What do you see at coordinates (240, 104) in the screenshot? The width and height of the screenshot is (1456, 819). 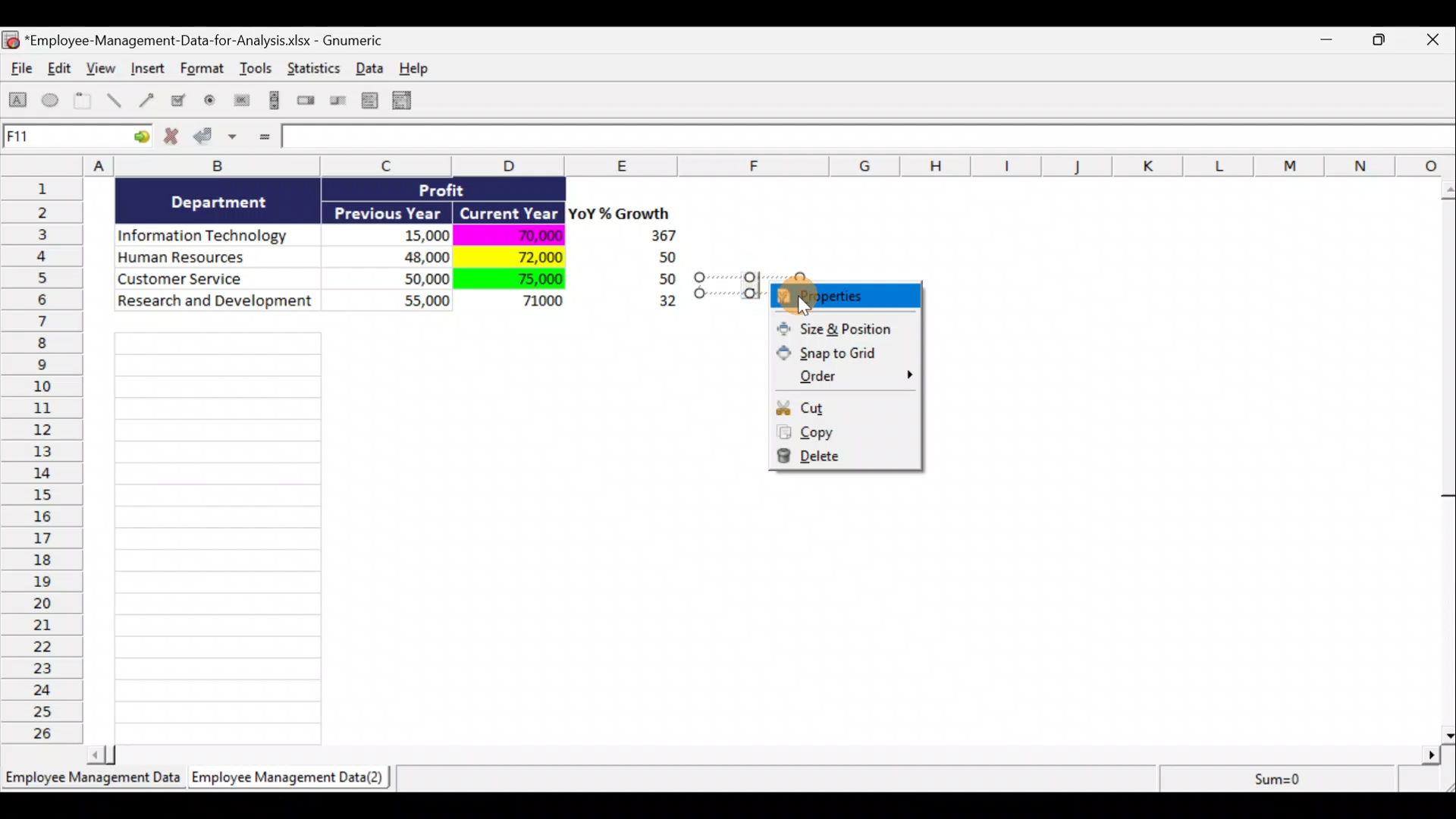 I see `Create a button` at bounding box center [240, 104].